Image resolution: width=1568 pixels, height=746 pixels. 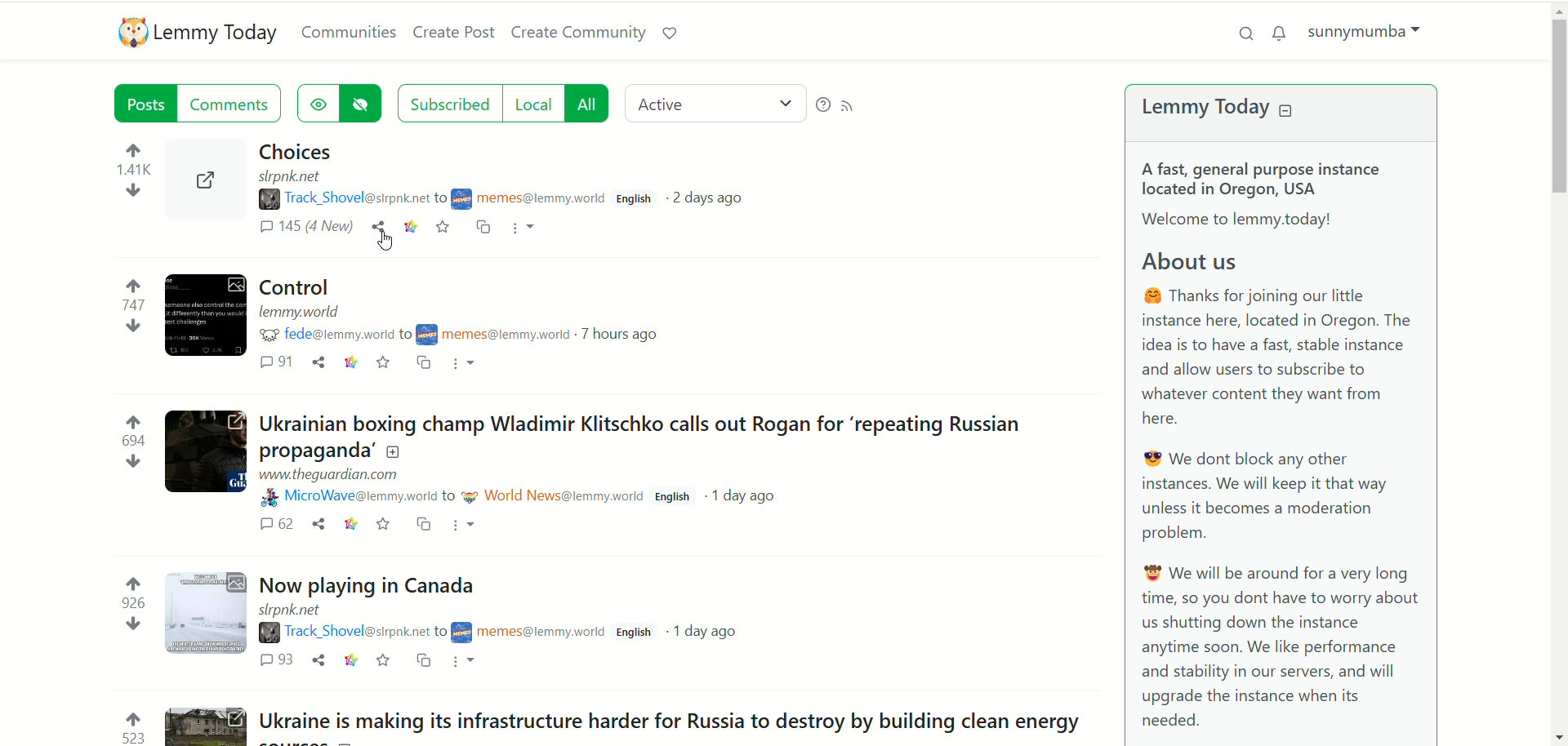 I want to click on save, so click(x=382, y=525).